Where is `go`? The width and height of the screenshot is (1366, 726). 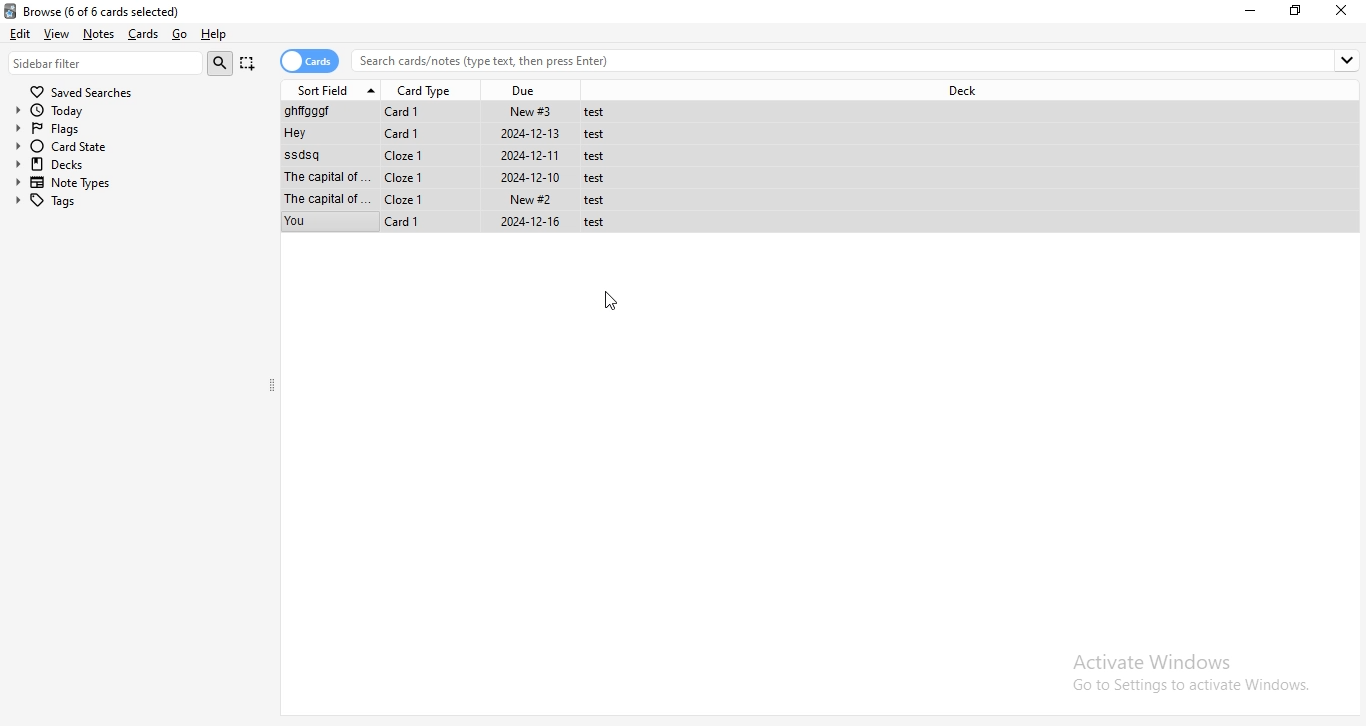 go is located at coordinates (180, 33).